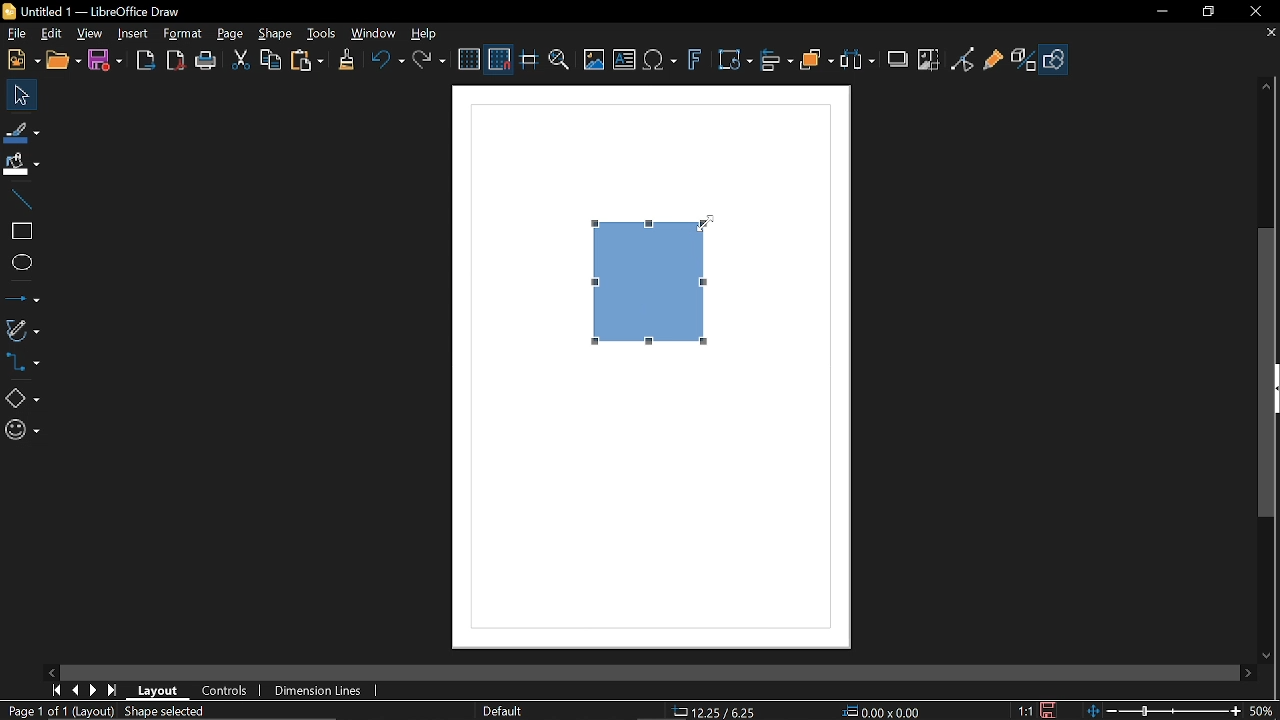 The height and width of the screenshot is (720, 1280). I want to click on Insert, so click(131, 34).